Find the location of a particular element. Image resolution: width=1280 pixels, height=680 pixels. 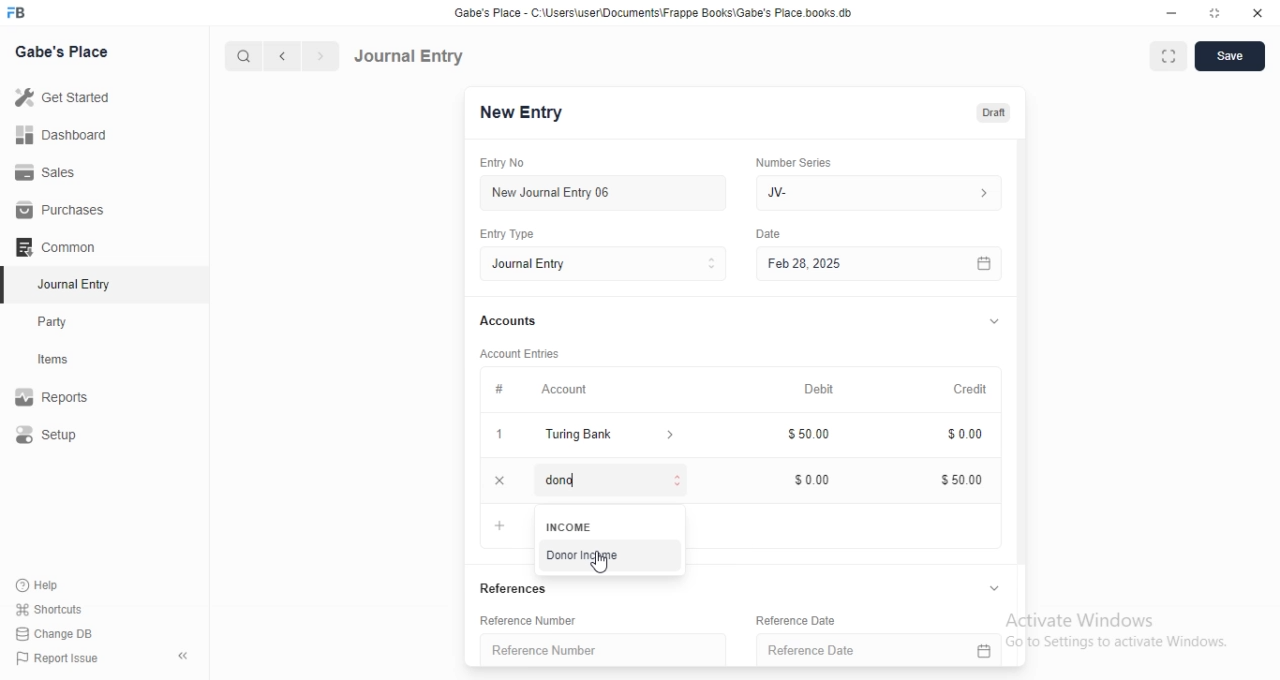

close is located at coordinates (1258, 14).